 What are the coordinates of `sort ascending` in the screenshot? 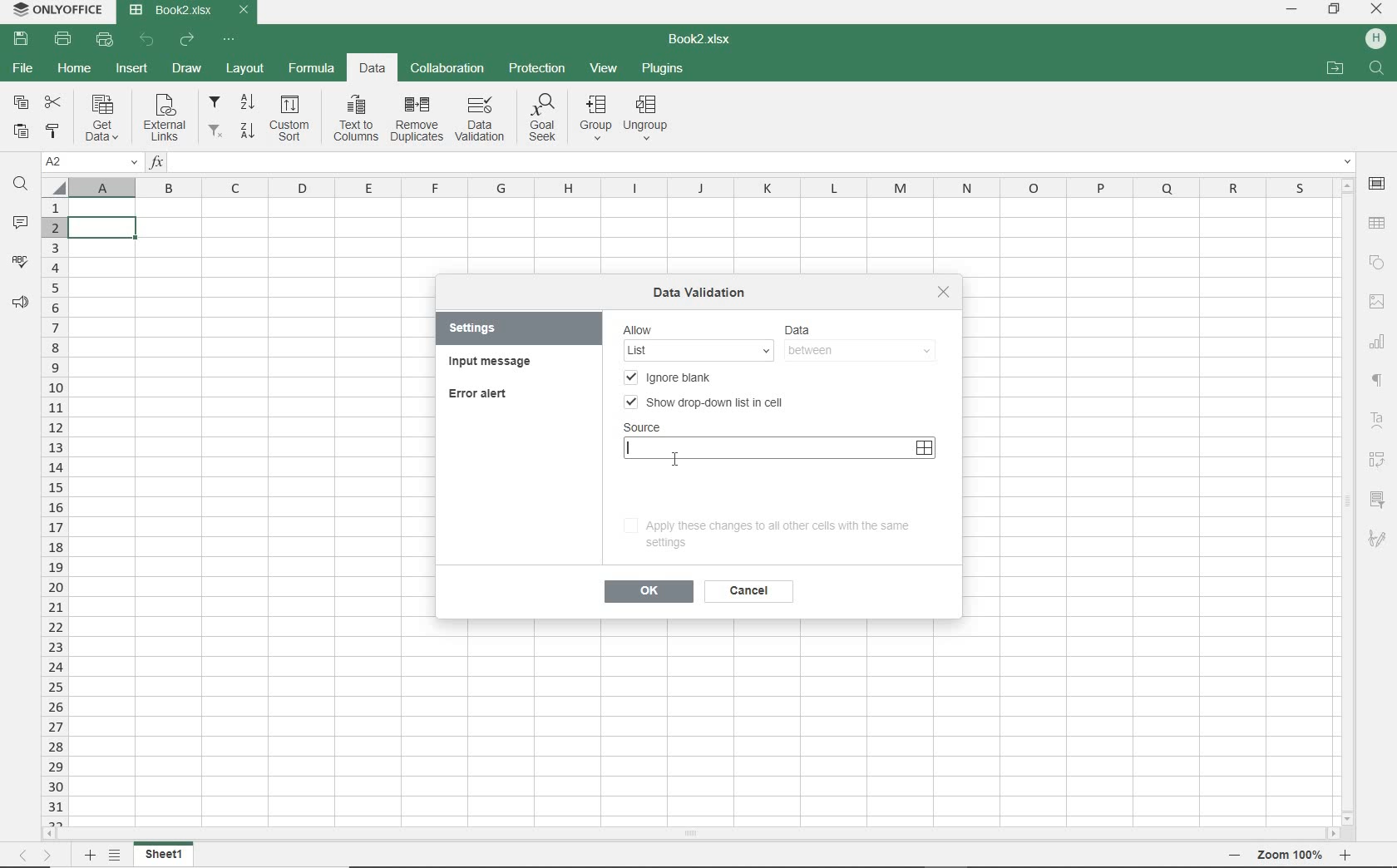 It's located at (250, 103).